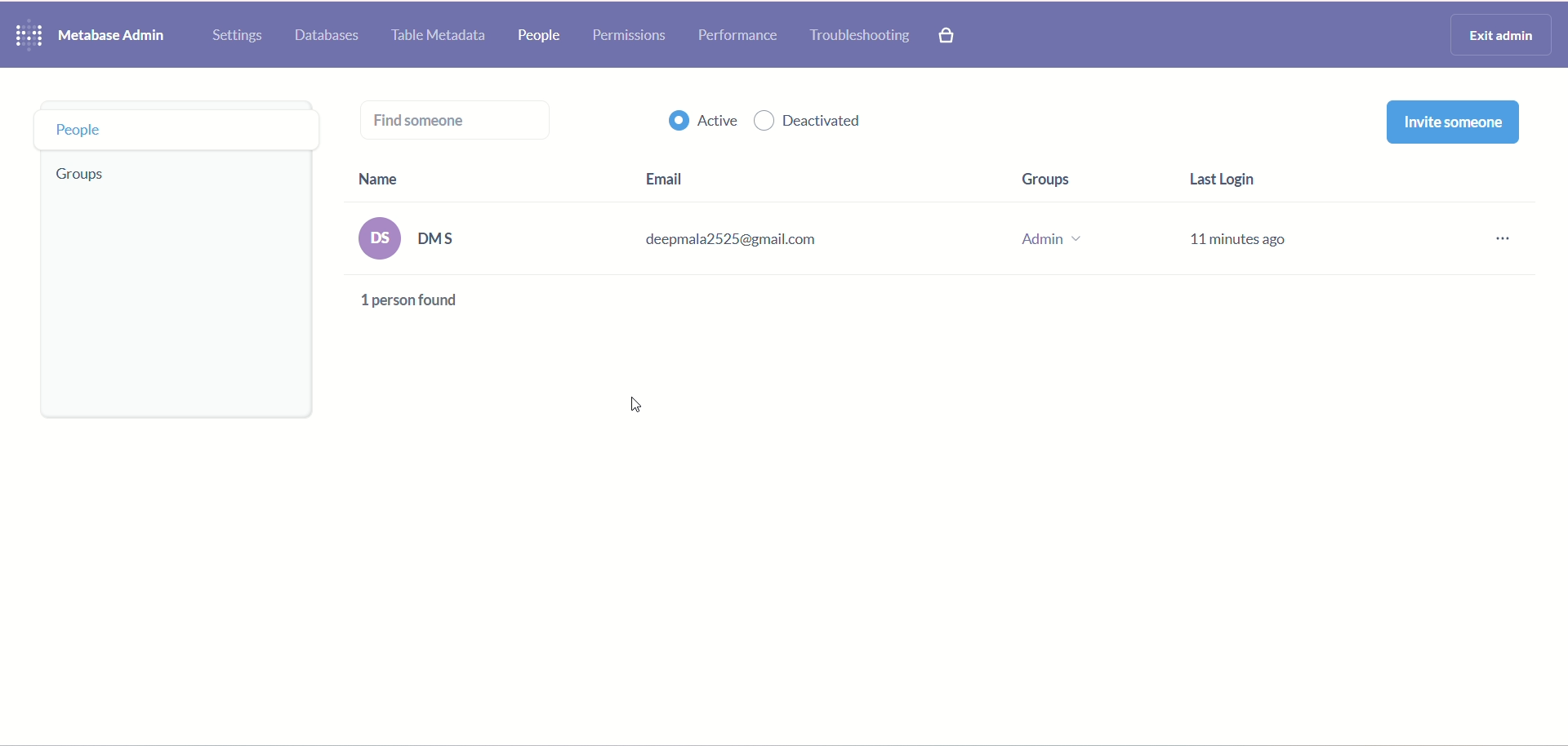  Describe the element at coordinates (30, 34) in the screenshot. I see `logo` at that location.